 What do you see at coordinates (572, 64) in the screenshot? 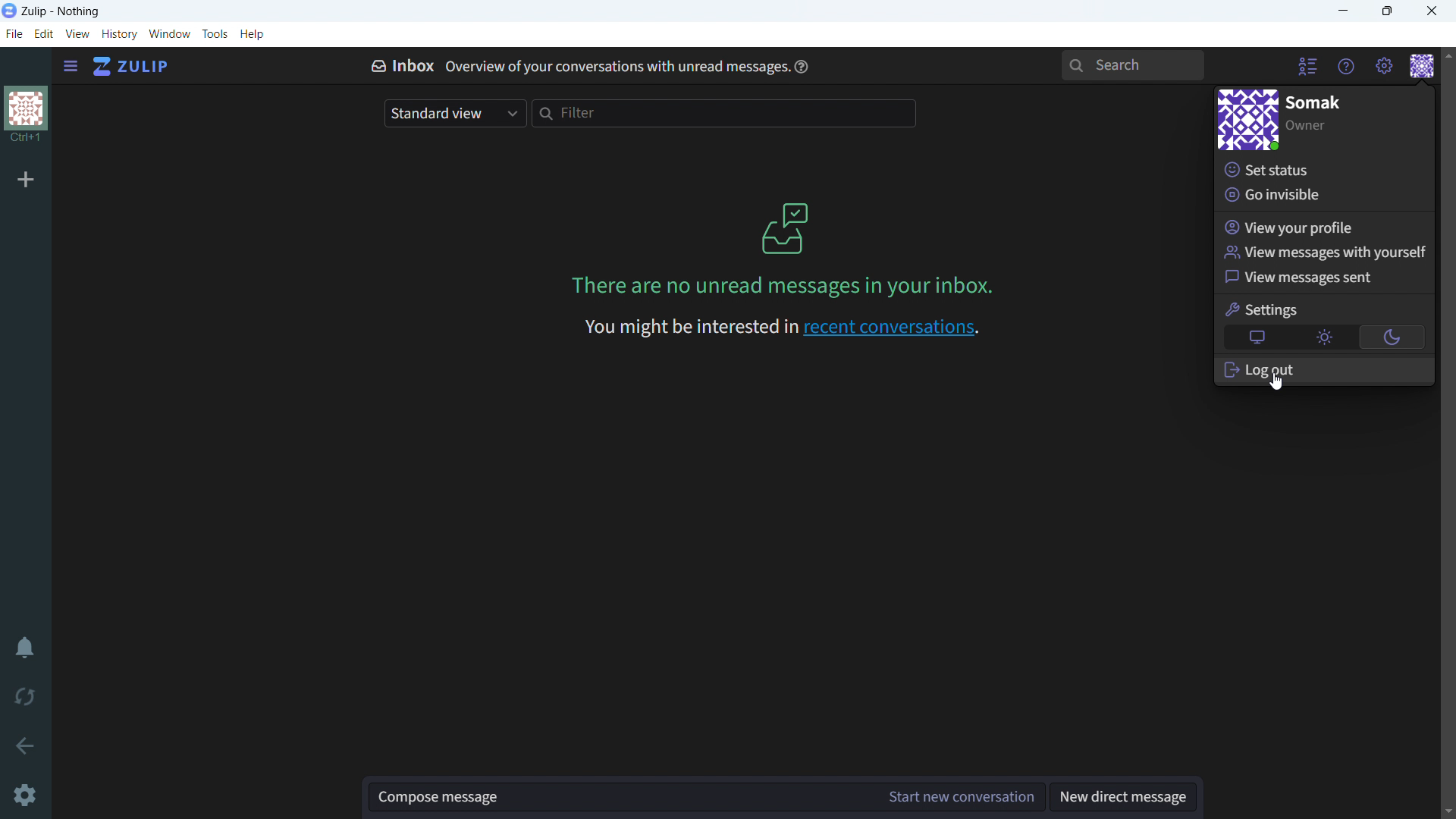
I see `inbox overview of  your conversations with unread messages` at bounding box center [572, 64].